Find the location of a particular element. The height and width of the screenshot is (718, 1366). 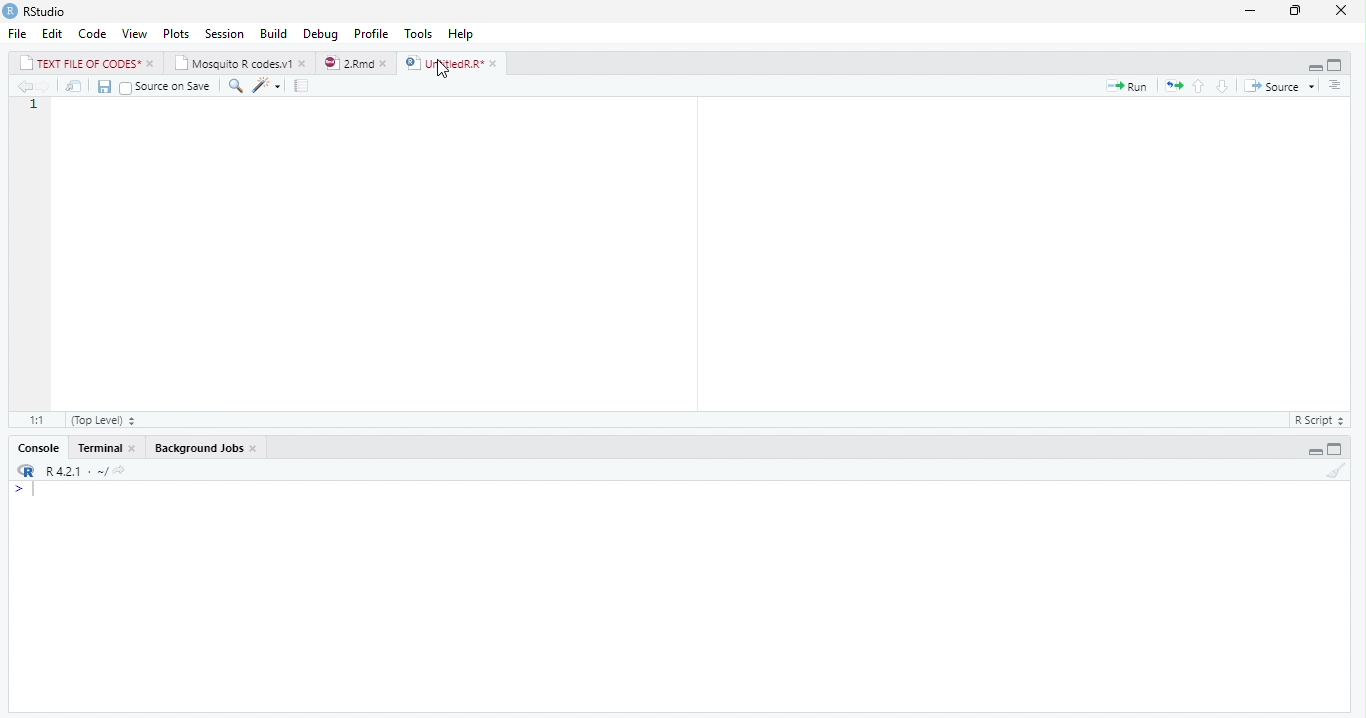

R 4.2.1 - ~/ is located at coordinates (78, 470).